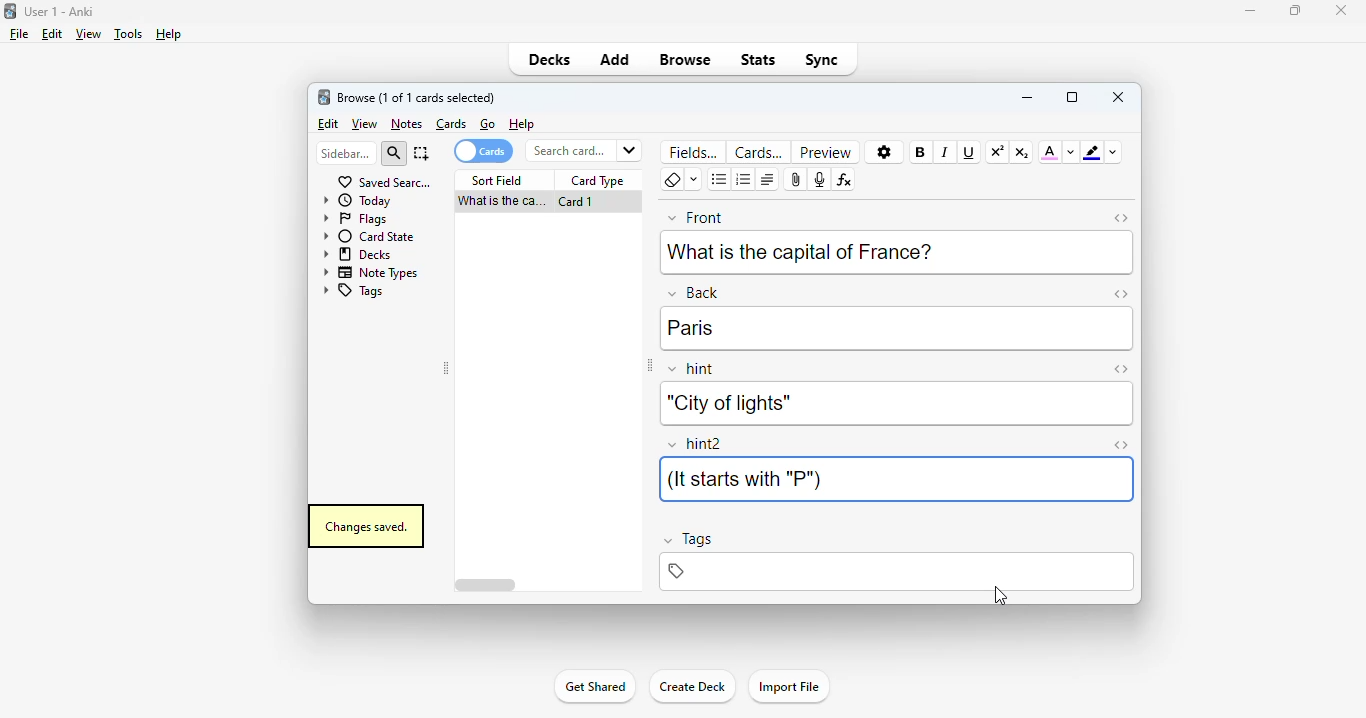 The image size is (1366, 718). What do you see at coordinates (1027, 96) in the screenshot?
I see `minimize` at bounding box center [1027, 96].